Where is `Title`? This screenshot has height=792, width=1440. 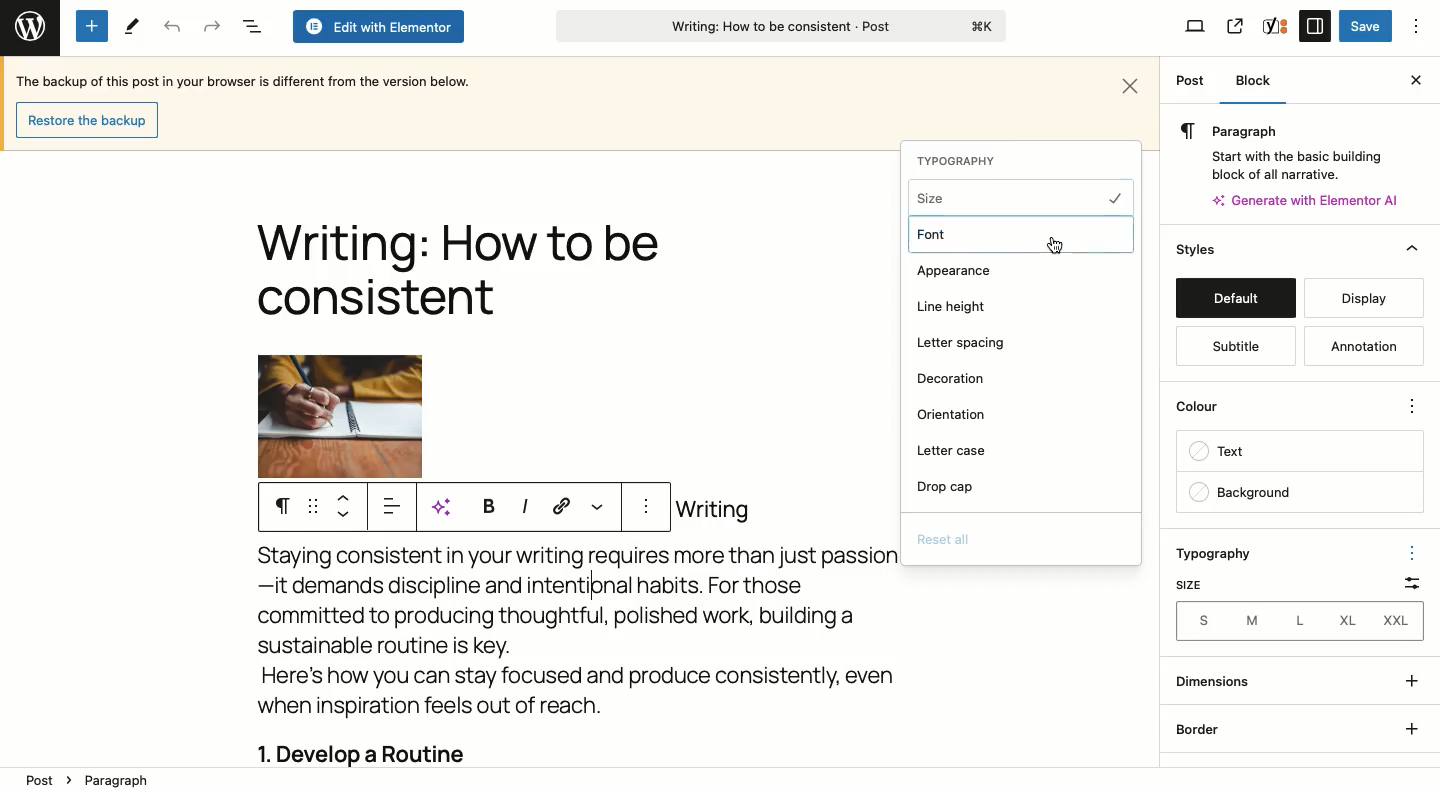 Title is located at coordinates (457, 274).